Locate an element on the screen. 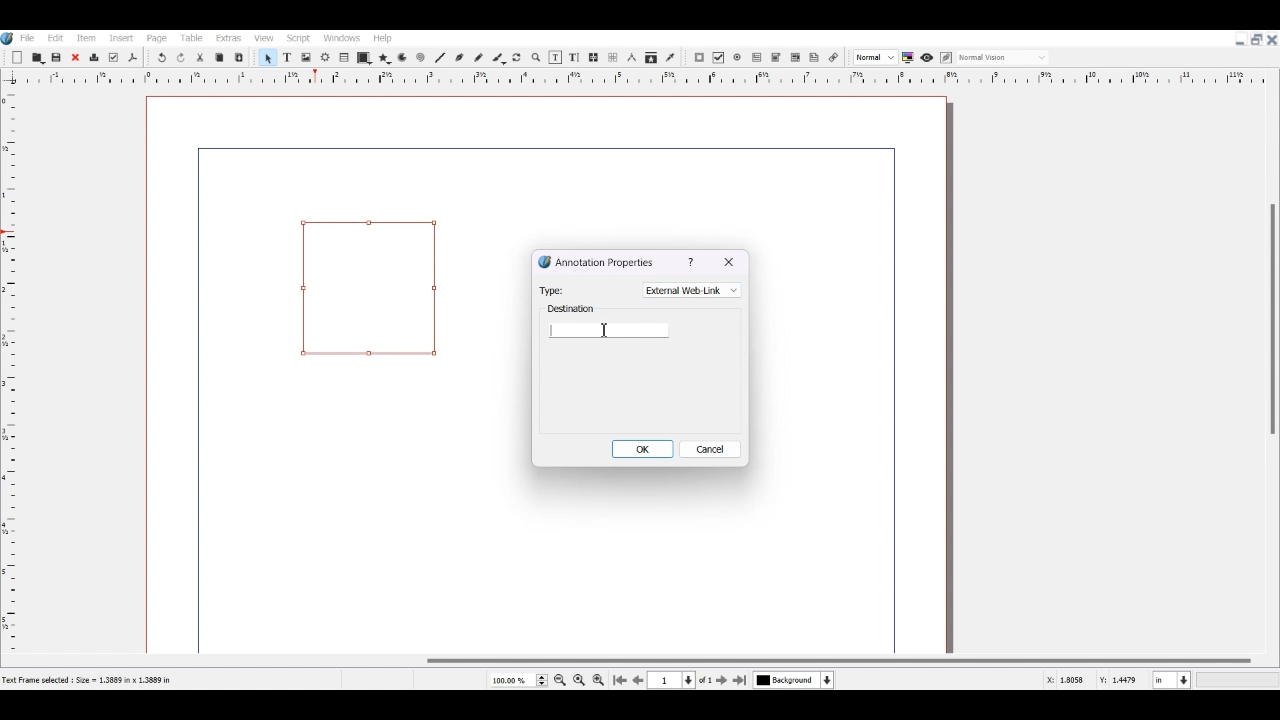 This screenshot has height=720, width=1280. Preview mode is located at coordinates (926, 57).